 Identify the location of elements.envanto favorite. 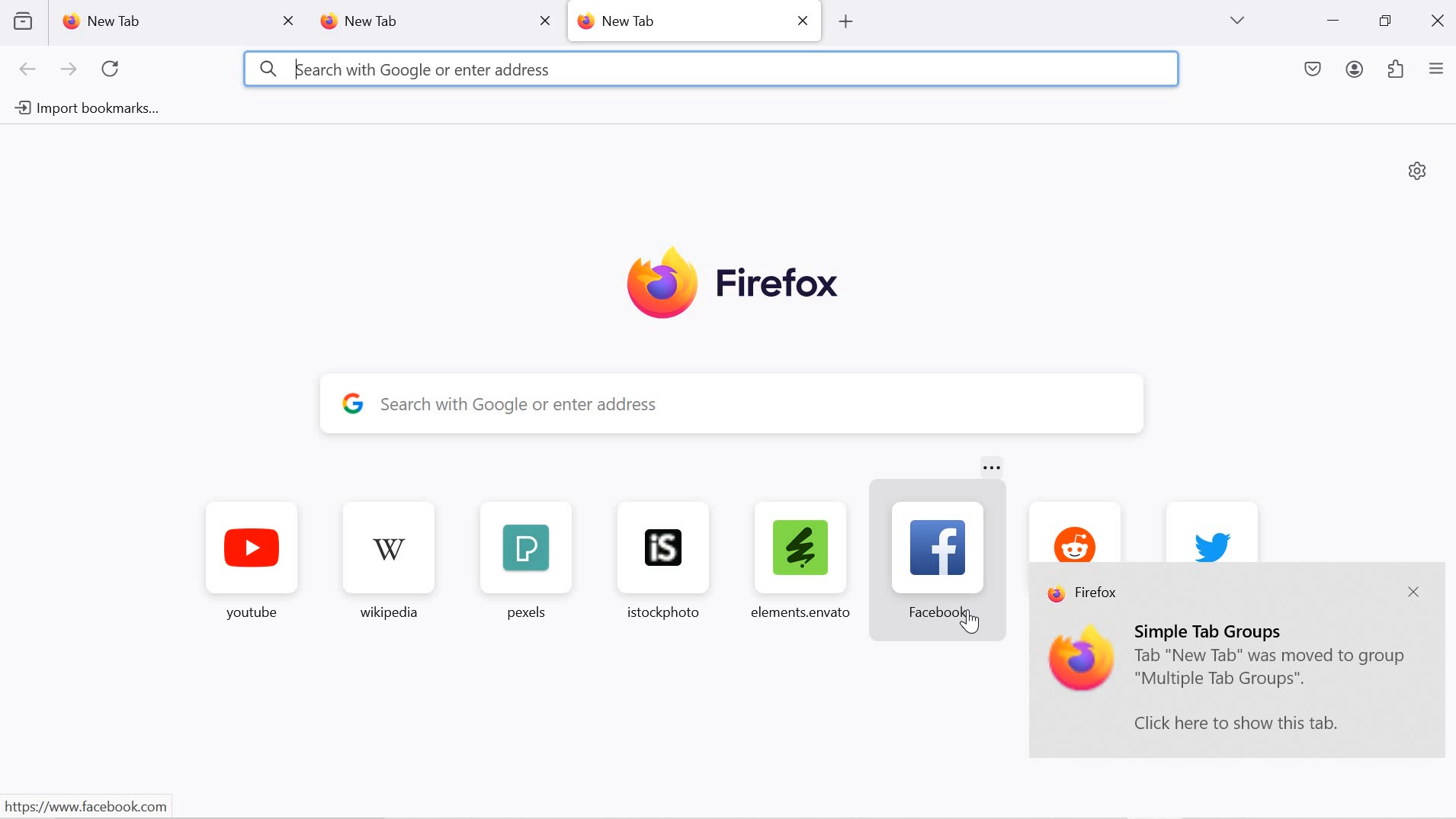
(799, 559).